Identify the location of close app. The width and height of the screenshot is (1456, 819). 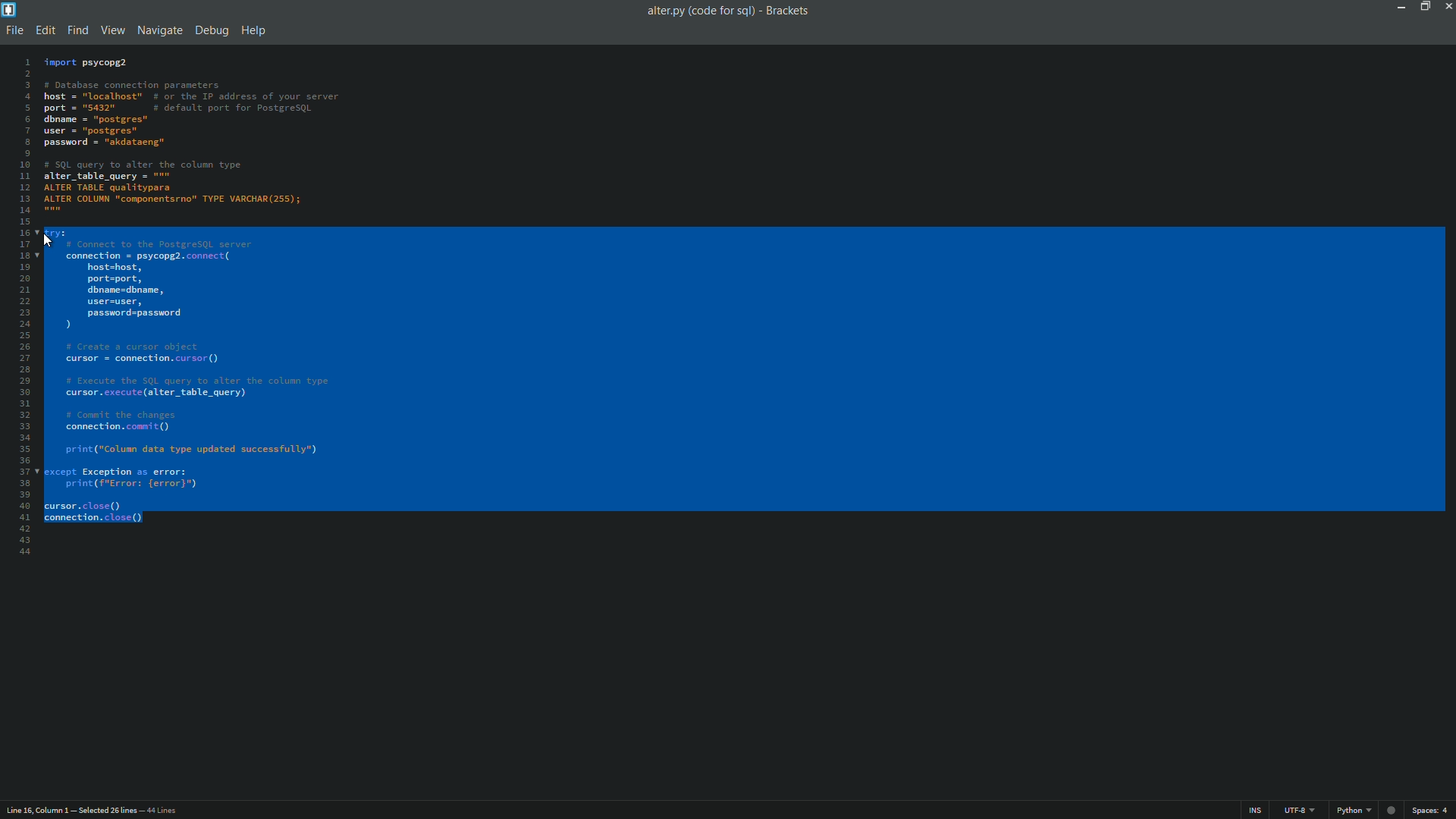
(1447, 7).